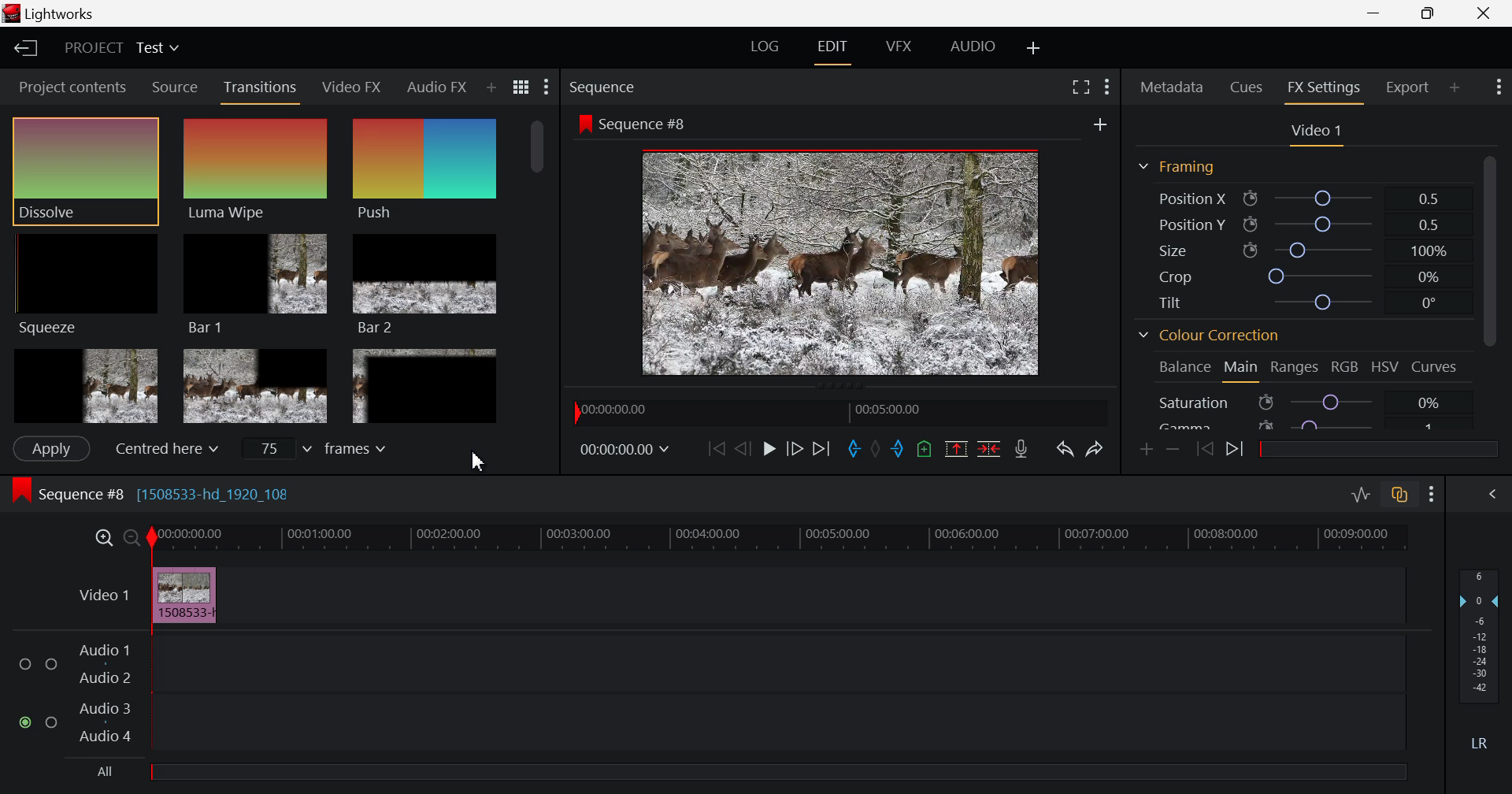 The image size is (1512, 794). Describe the element at coordinates (318, 451) in the screenshot. I see `75 framerate selected` at that location.